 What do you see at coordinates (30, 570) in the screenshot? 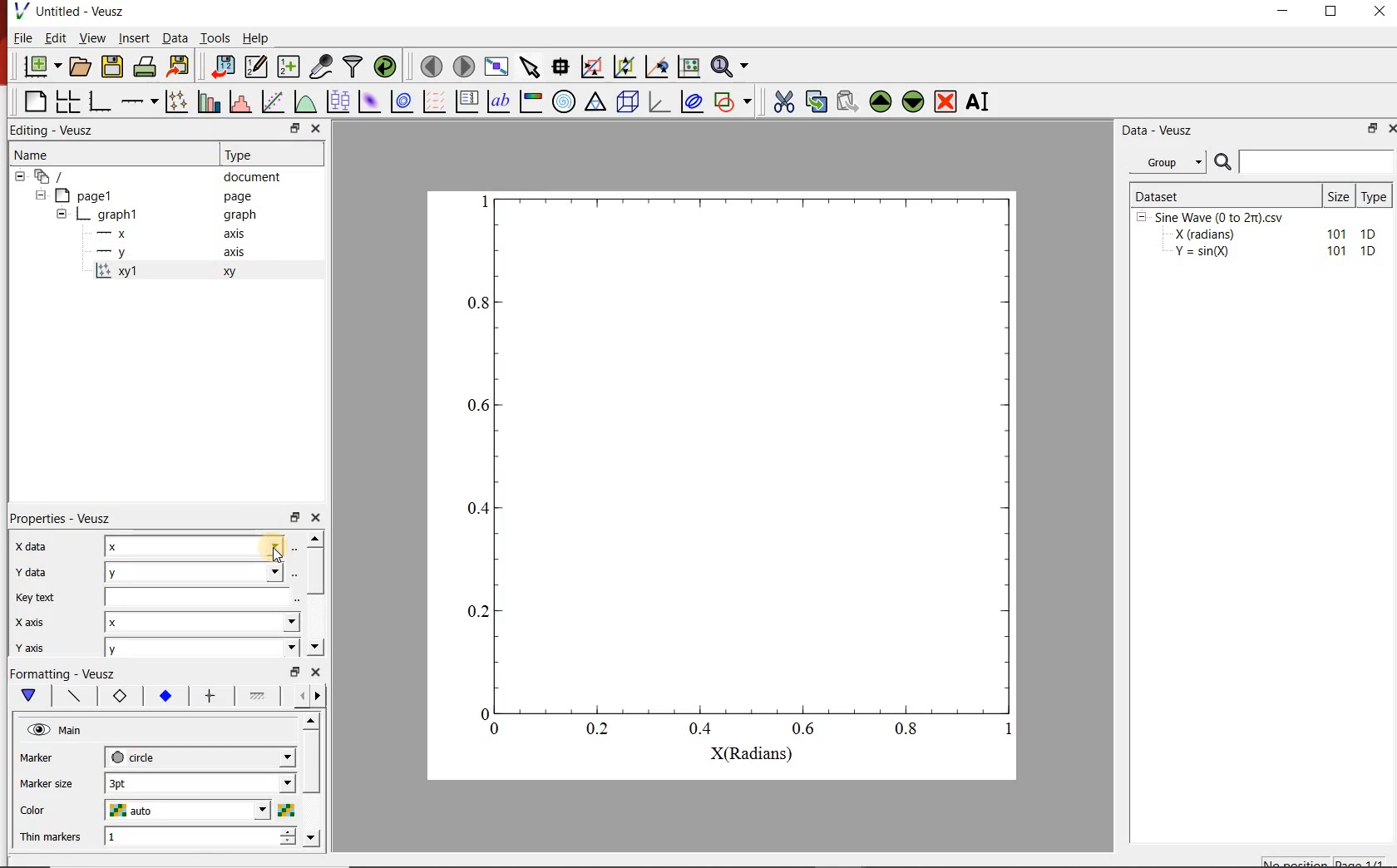
I see `Min` at bounding box center [30, 570].